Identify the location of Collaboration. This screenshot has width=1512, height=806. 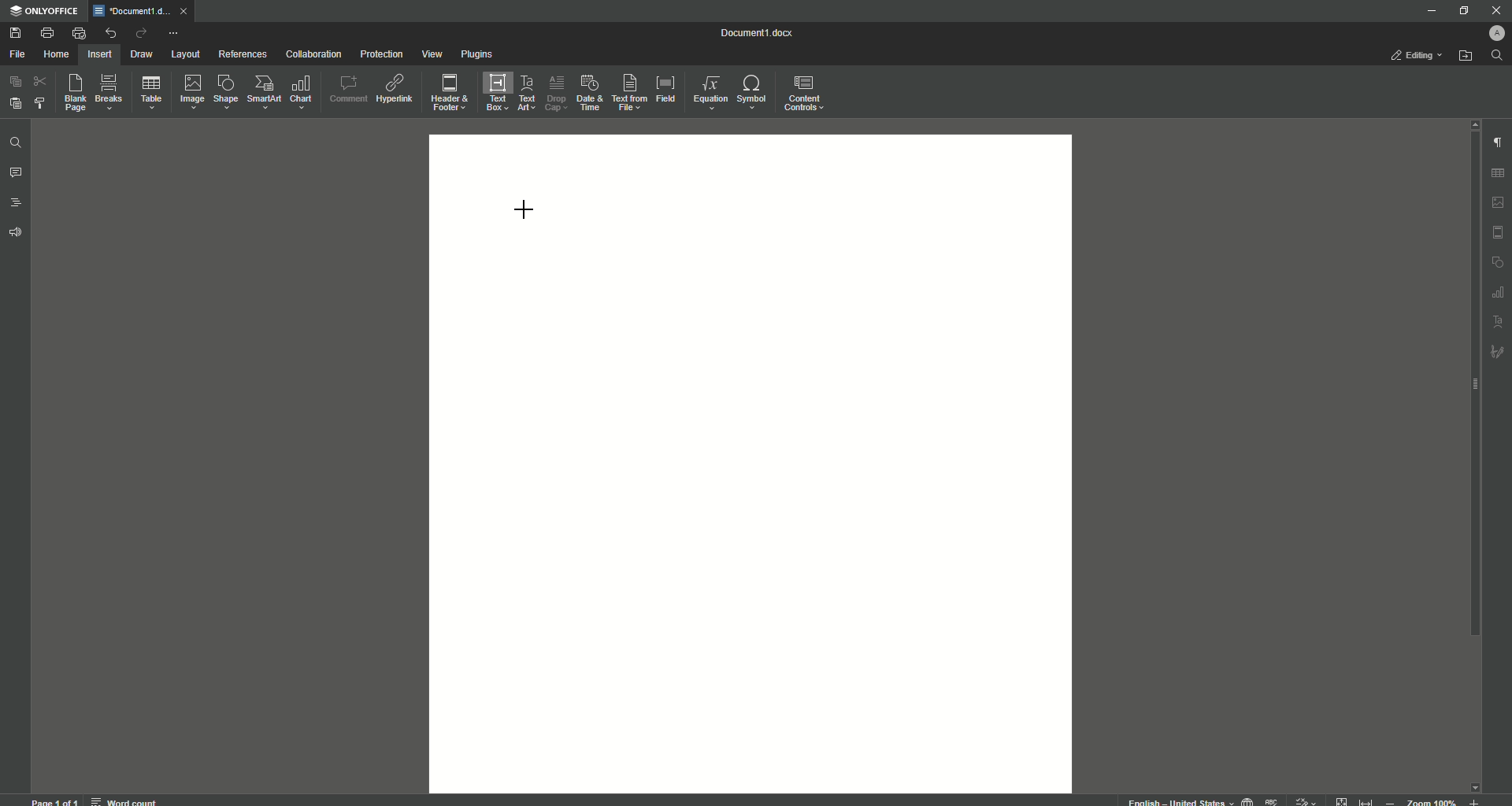
(313, 56).